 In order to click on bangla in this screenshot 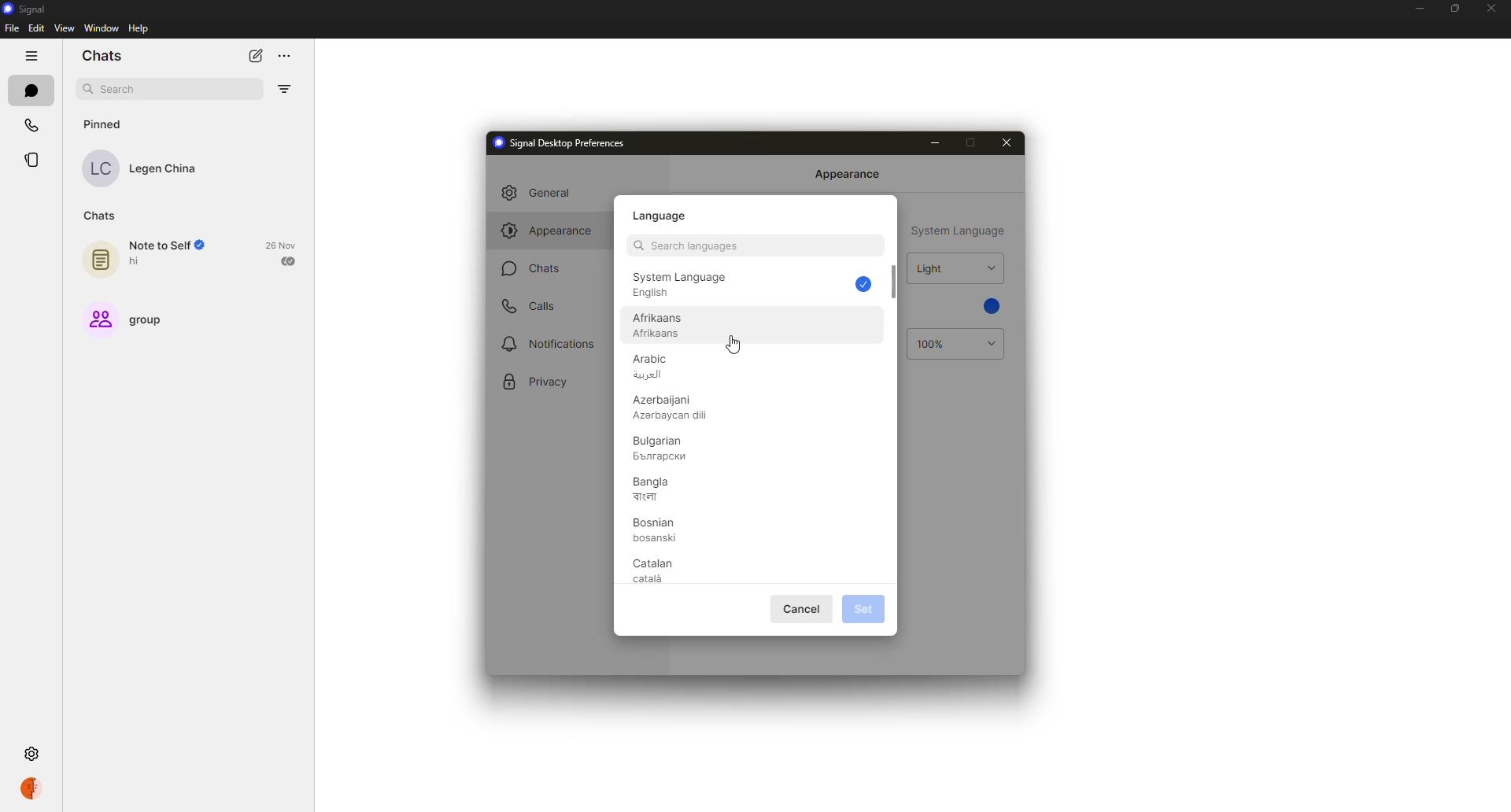, I will do `click(657, 488)`.